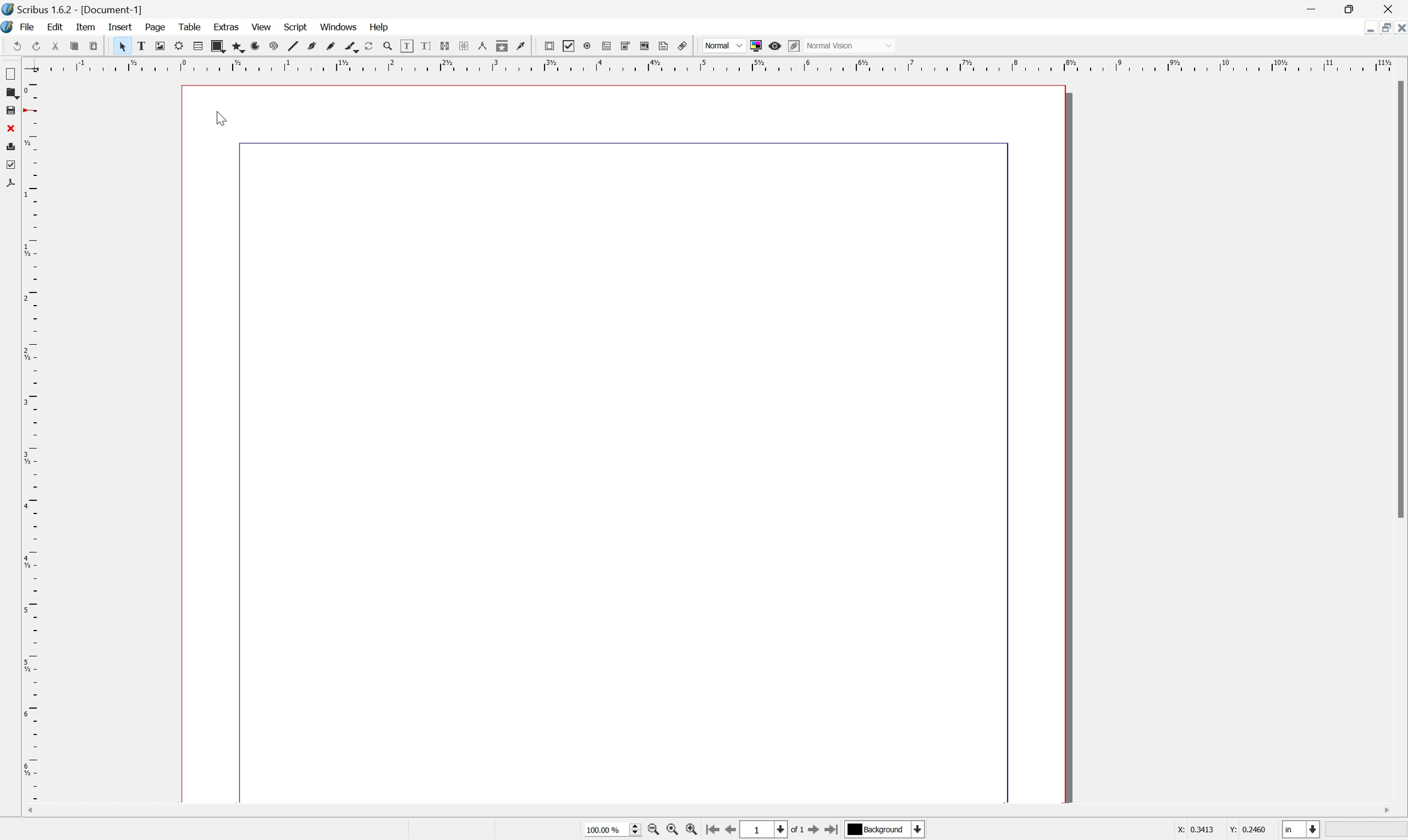 The height and width of the screenshot is (840, 1408). Describe the element at coordinates (832, 832) in the screenshot. I see `go to last page` at that location.